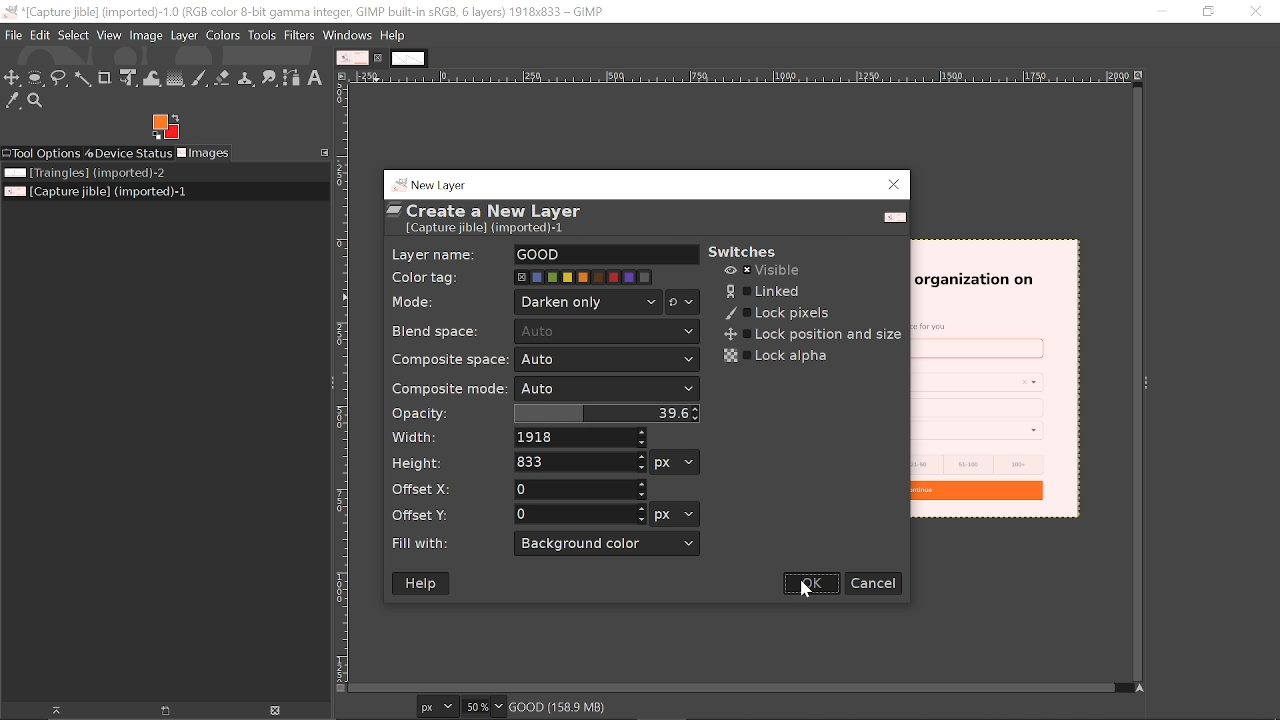 This screenshot has height=720, width=1280. What do you see at coordinates (152, 78) in the screenshot?
I see `Wrap text tool` at bounding box center [152, 78].